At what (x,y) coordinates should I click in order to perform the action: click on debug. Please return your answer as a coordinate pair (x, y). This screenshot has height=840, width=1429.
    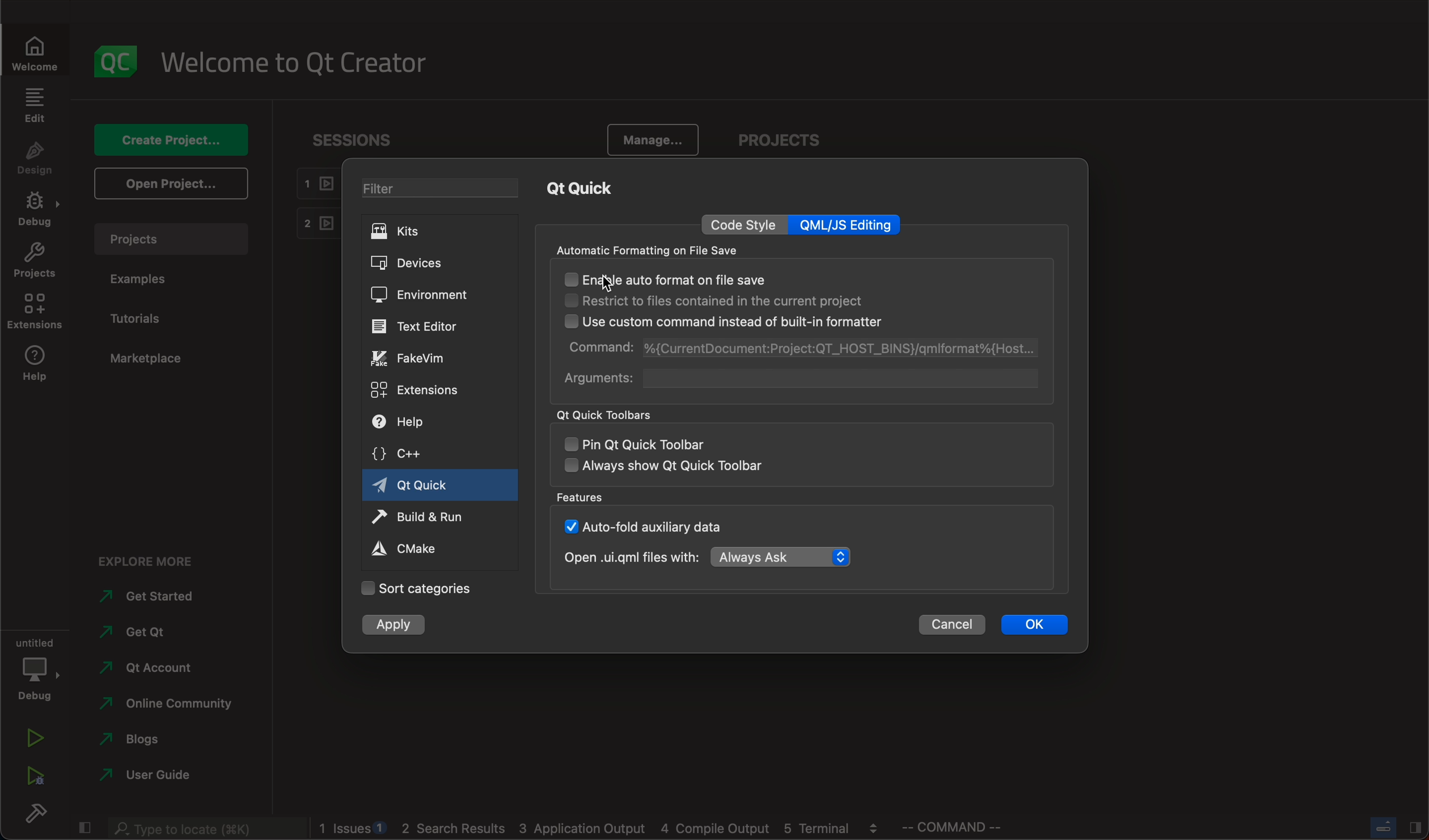
    Looking at the image, I should click on (36, 667).